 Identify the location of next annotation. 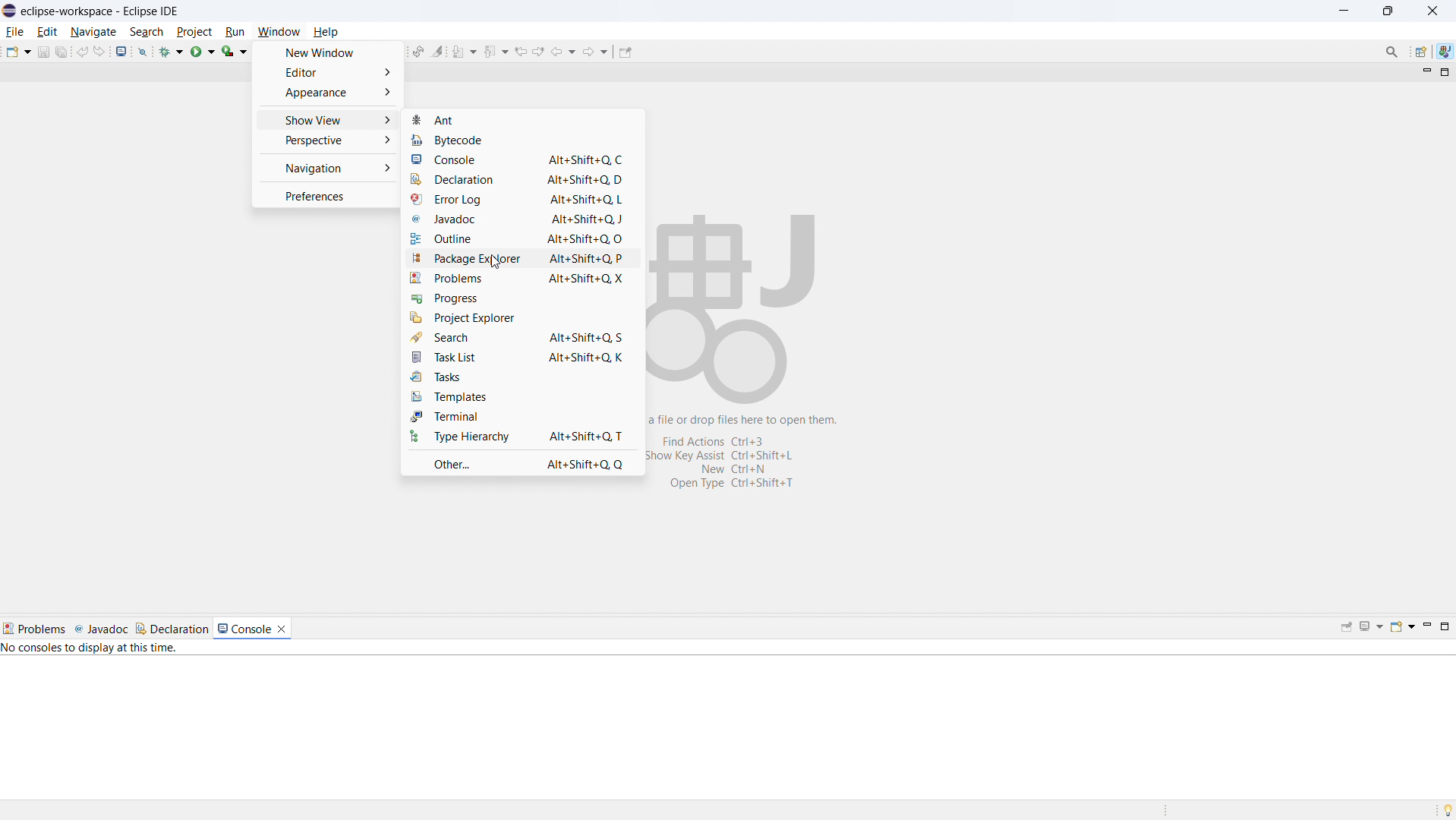
(465, 51).